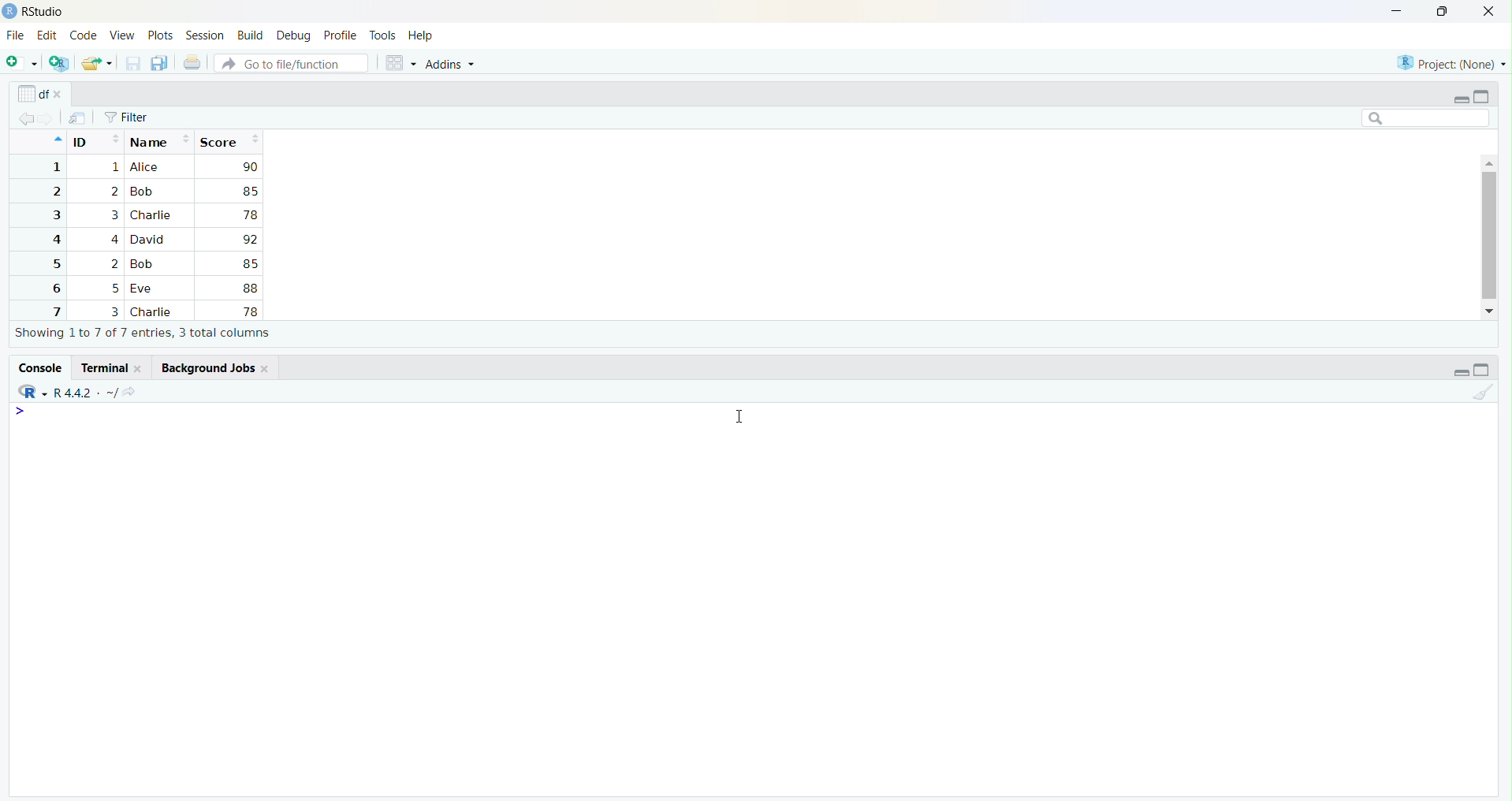 Image resolution: width=1512 pixels, height=801 pixels. What do you see at coordinates (250, 215) in the screenshot?
I see `78` at bounding box center [250, 215].